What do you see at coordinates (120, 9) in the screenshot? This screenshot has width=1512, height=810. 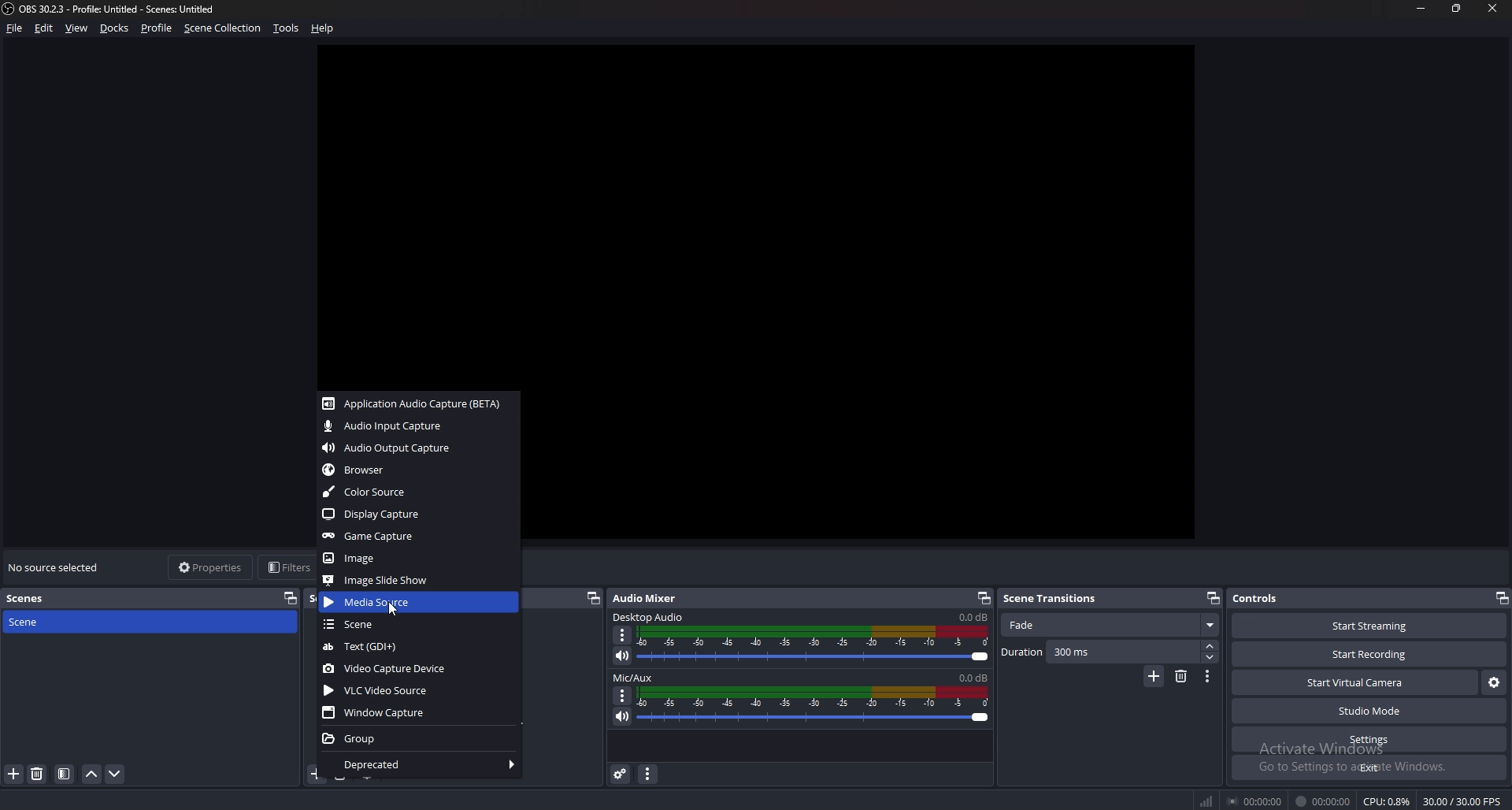 I see `‘OBS 30.2.3 - Profile: Untitled - Scenes: Untitled` at bounding box center [120, 9].